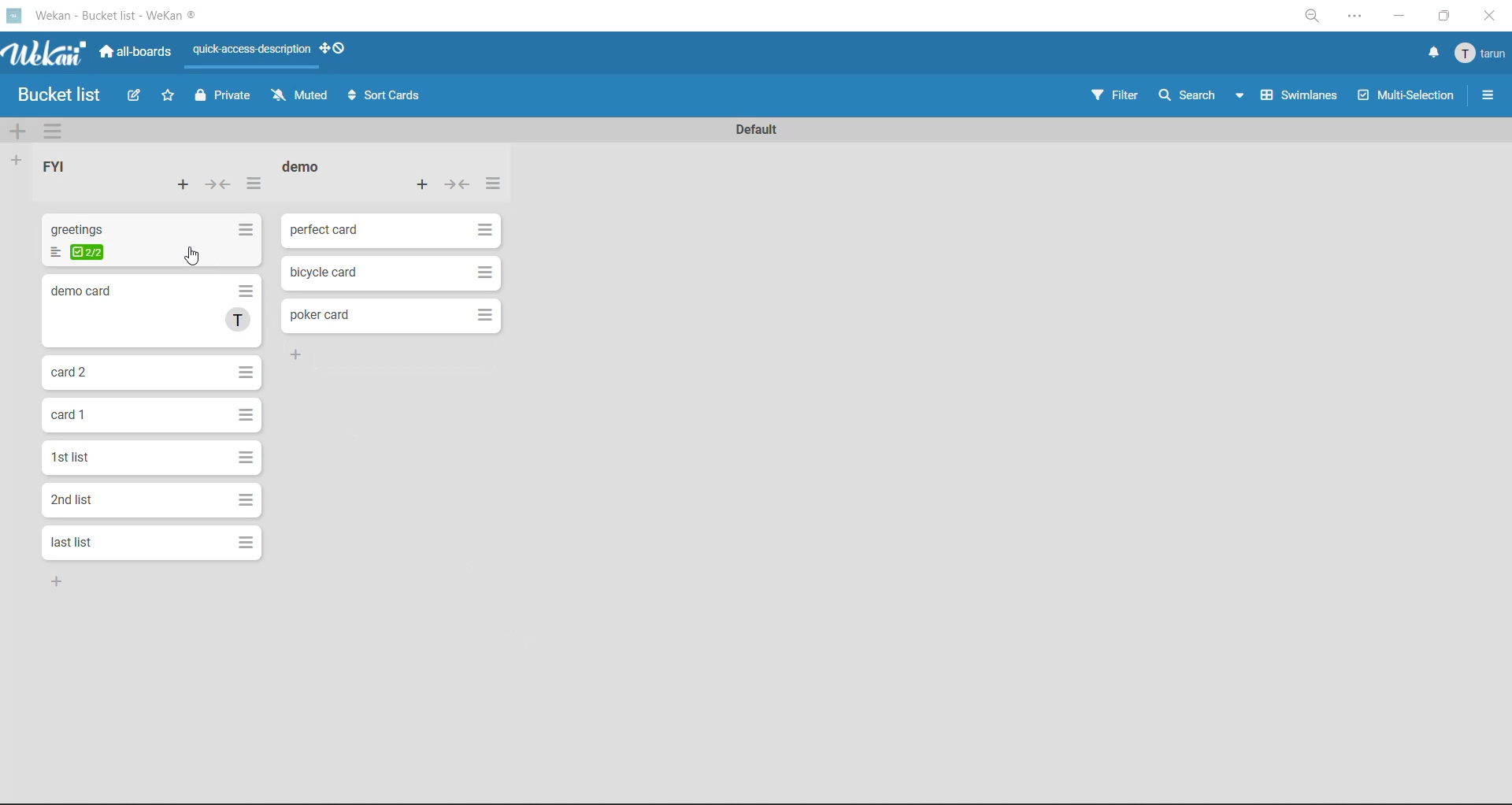 This screenshot has width=1512, height=805. Describe the element at coordinates (61, 95) in the screenshot. I see `board name` at that location.